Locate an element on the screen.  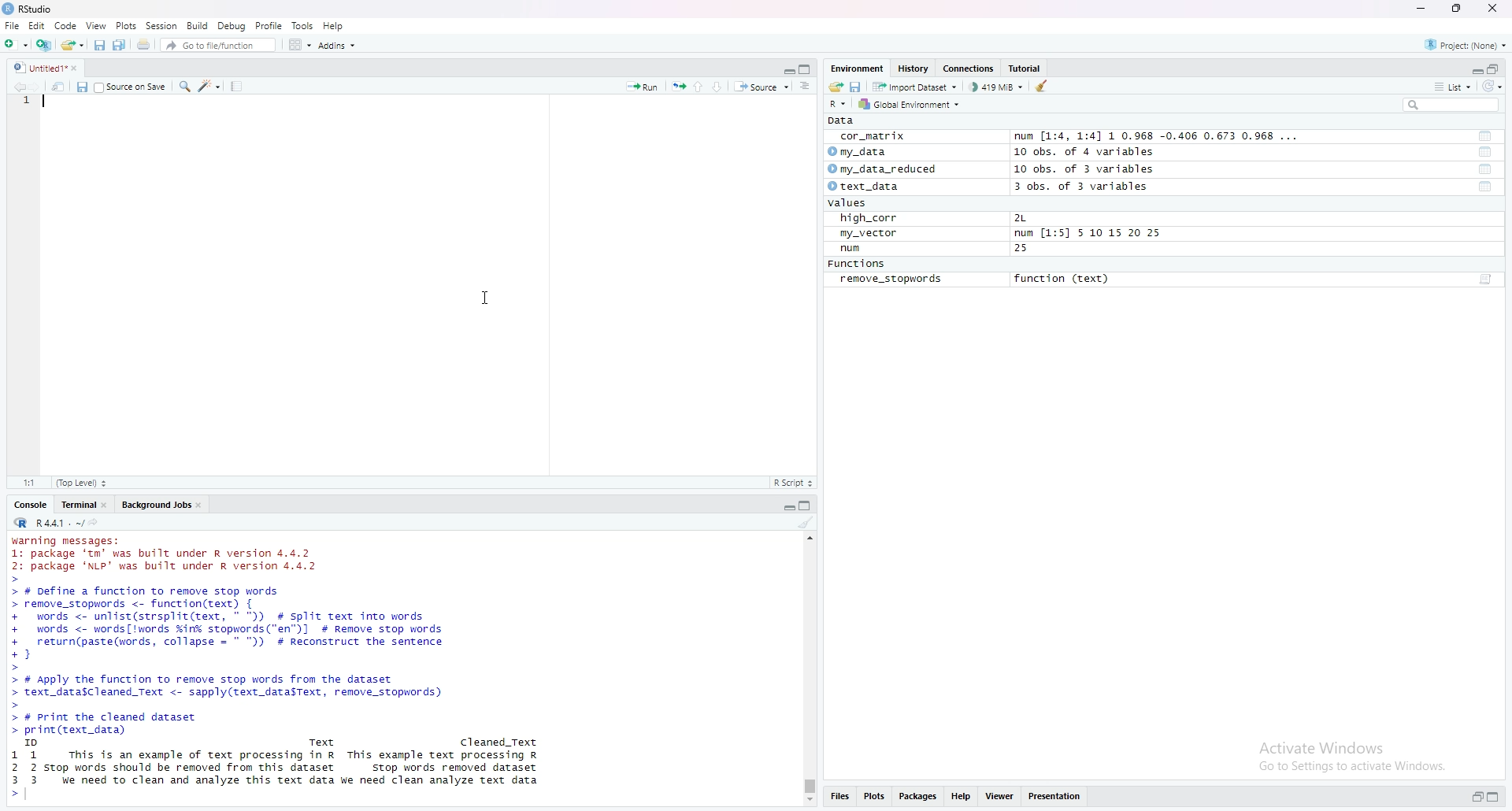
Help is located at coordinates (334, 25).